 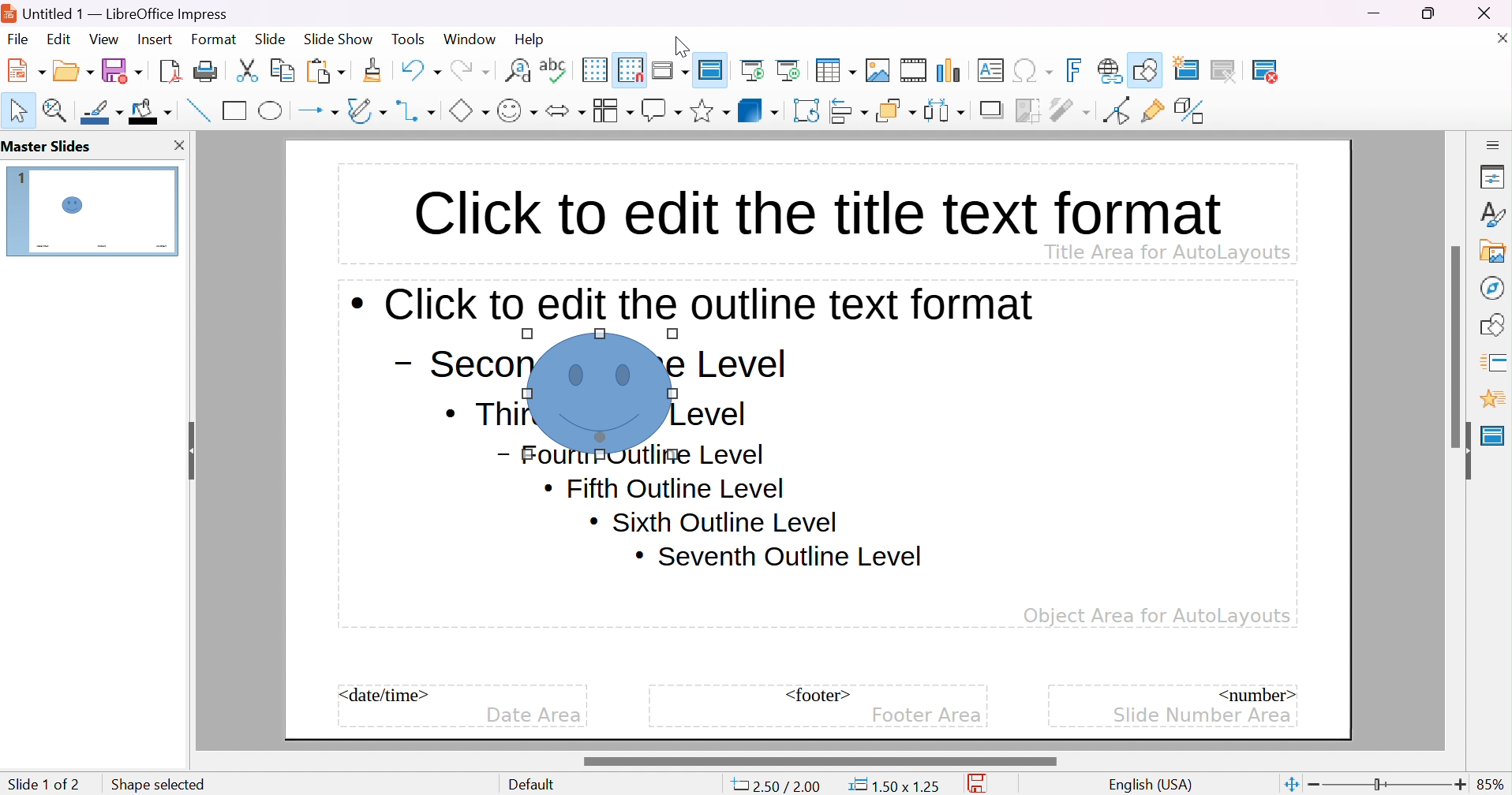 What do you see at coordinates (818, 761) in the screenshot?
I see `slider` at bounding box center [818, 761].